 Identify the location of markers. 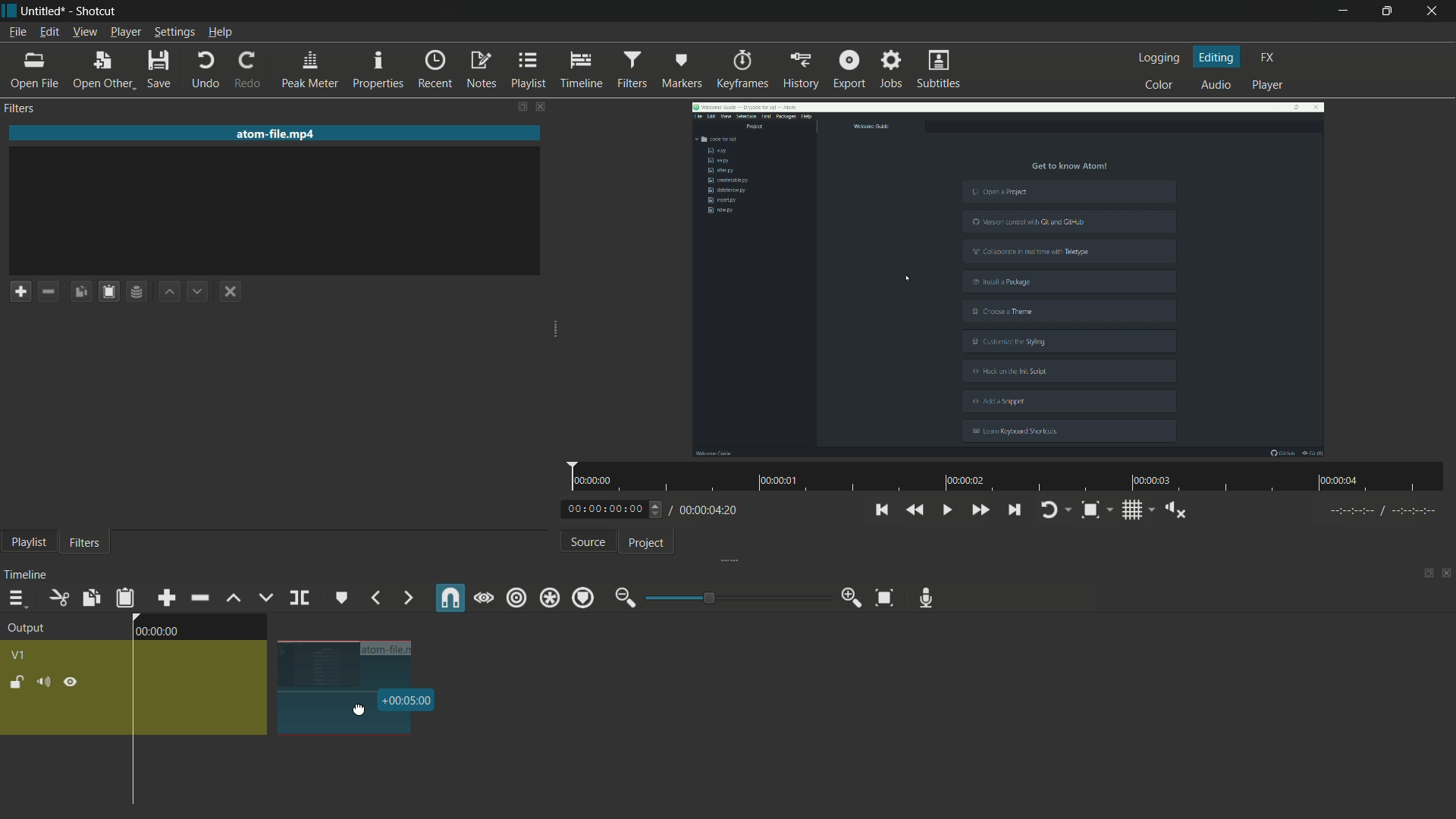
(682, 68).